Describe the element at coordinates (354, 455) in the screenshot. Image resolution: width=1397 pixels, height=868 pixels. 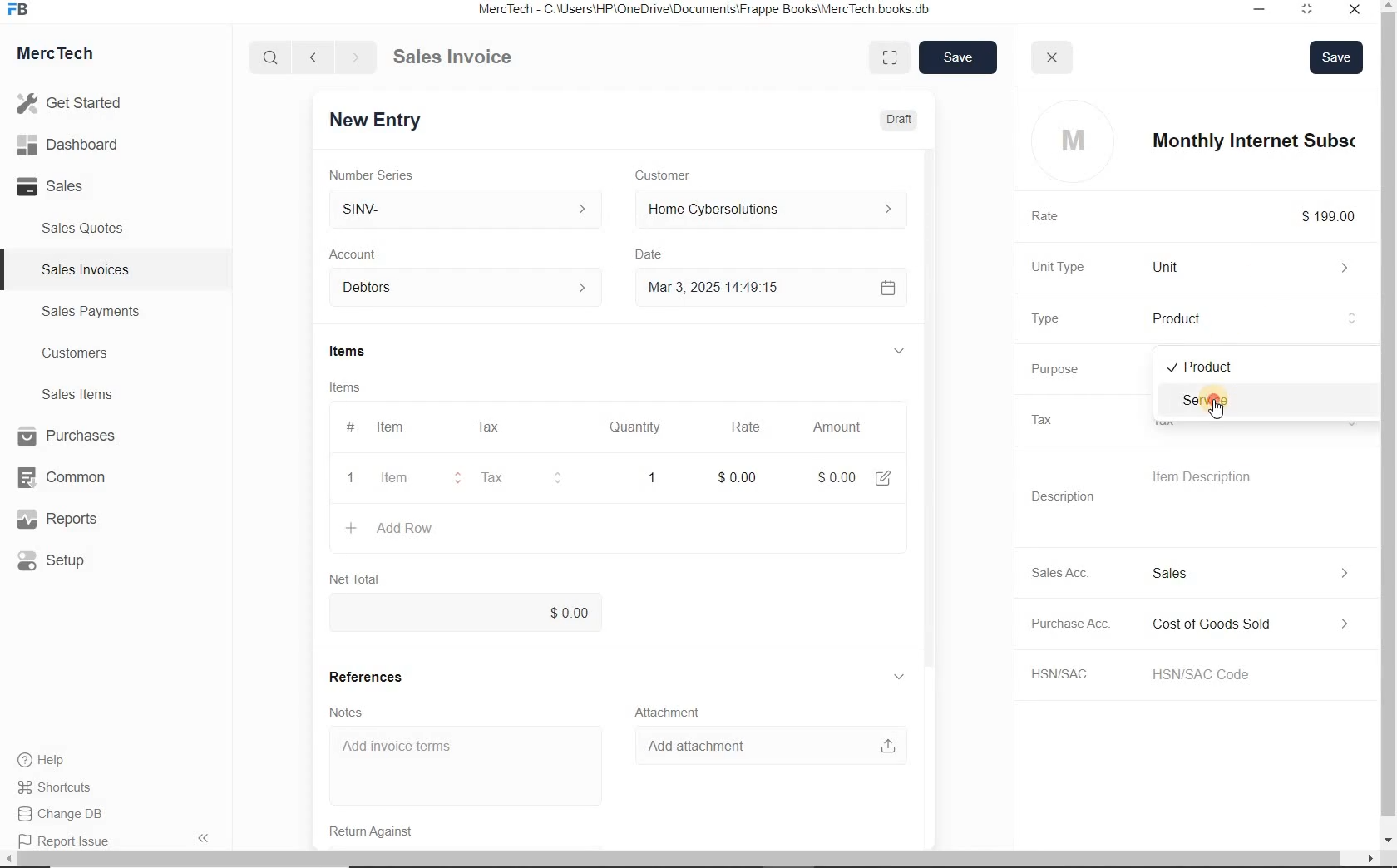
I see `item line number` at that location.